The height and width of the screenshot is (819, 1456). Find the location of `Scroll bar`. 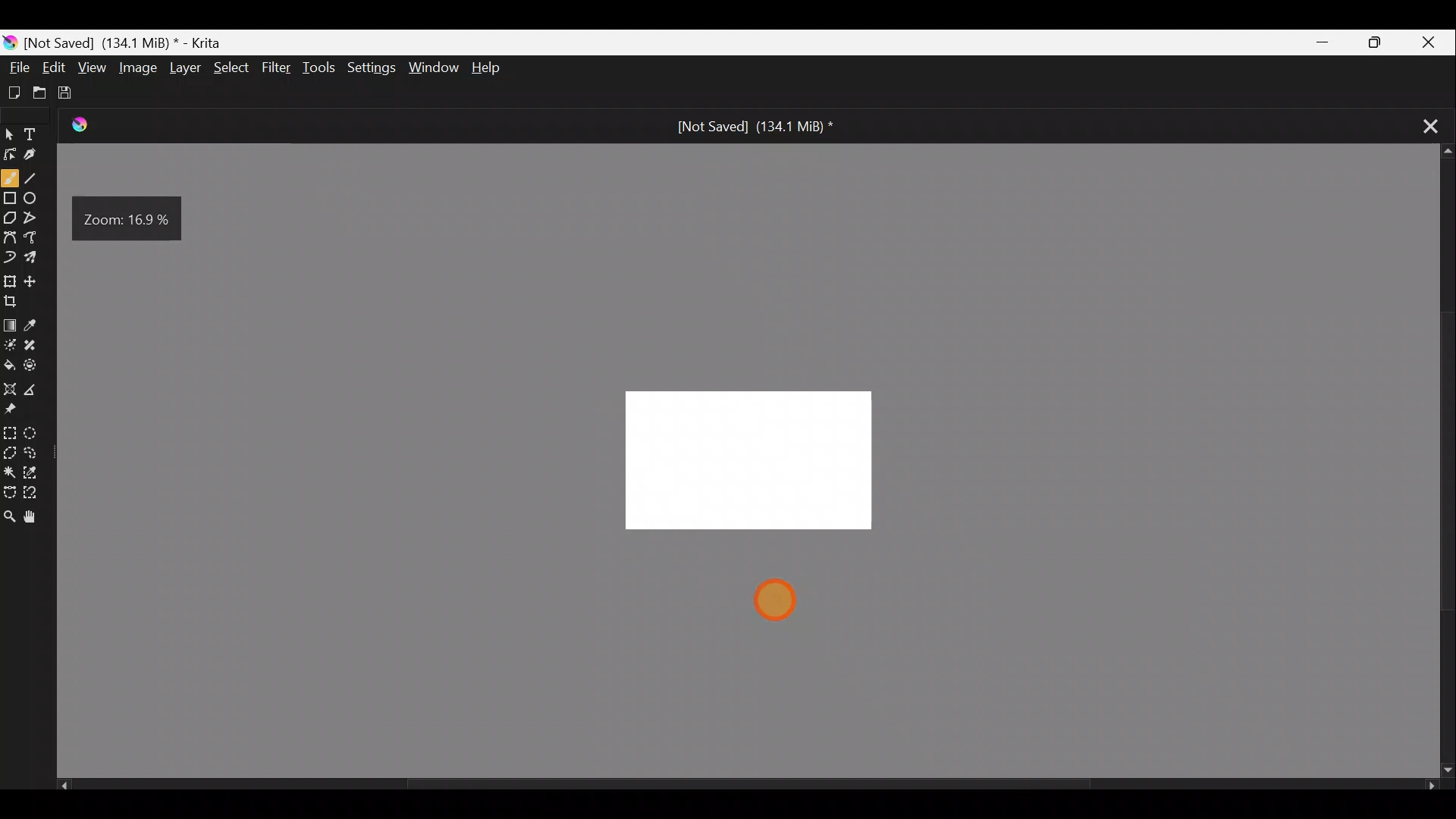

Scroll bar is located at coordinates (748, 789).